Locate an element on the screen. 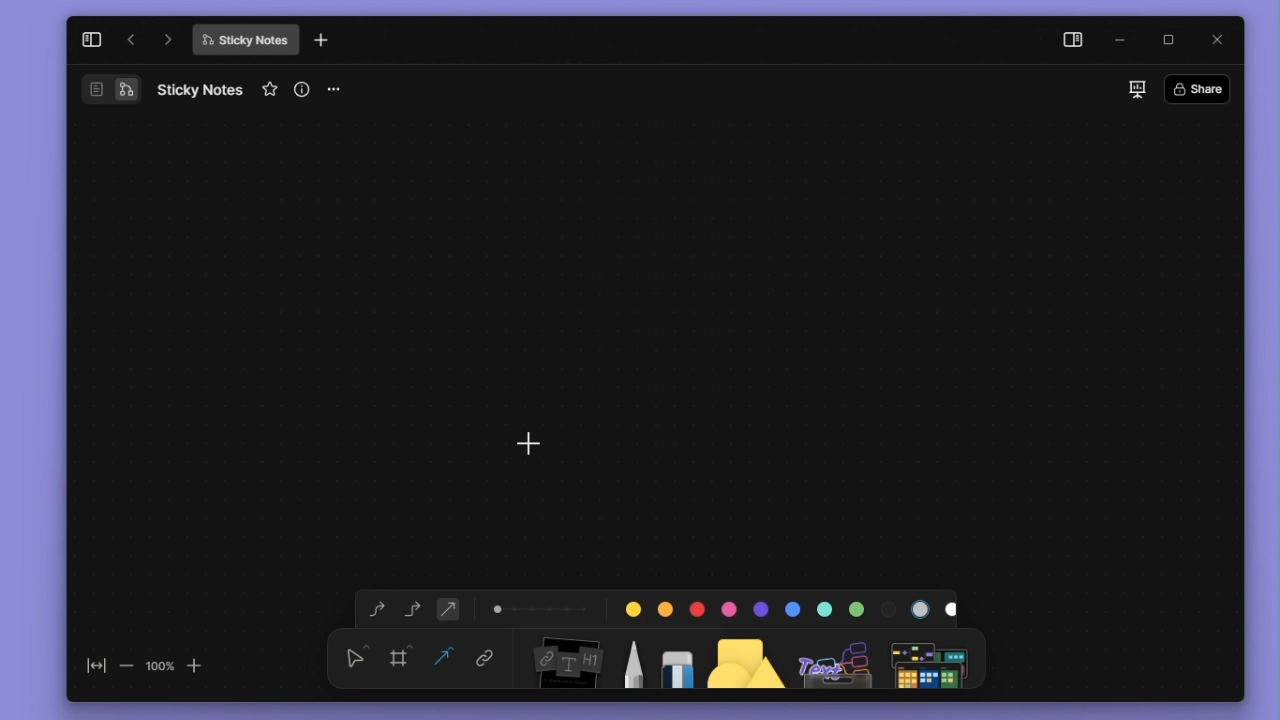  side panel is located at coordinates (1069, 42).